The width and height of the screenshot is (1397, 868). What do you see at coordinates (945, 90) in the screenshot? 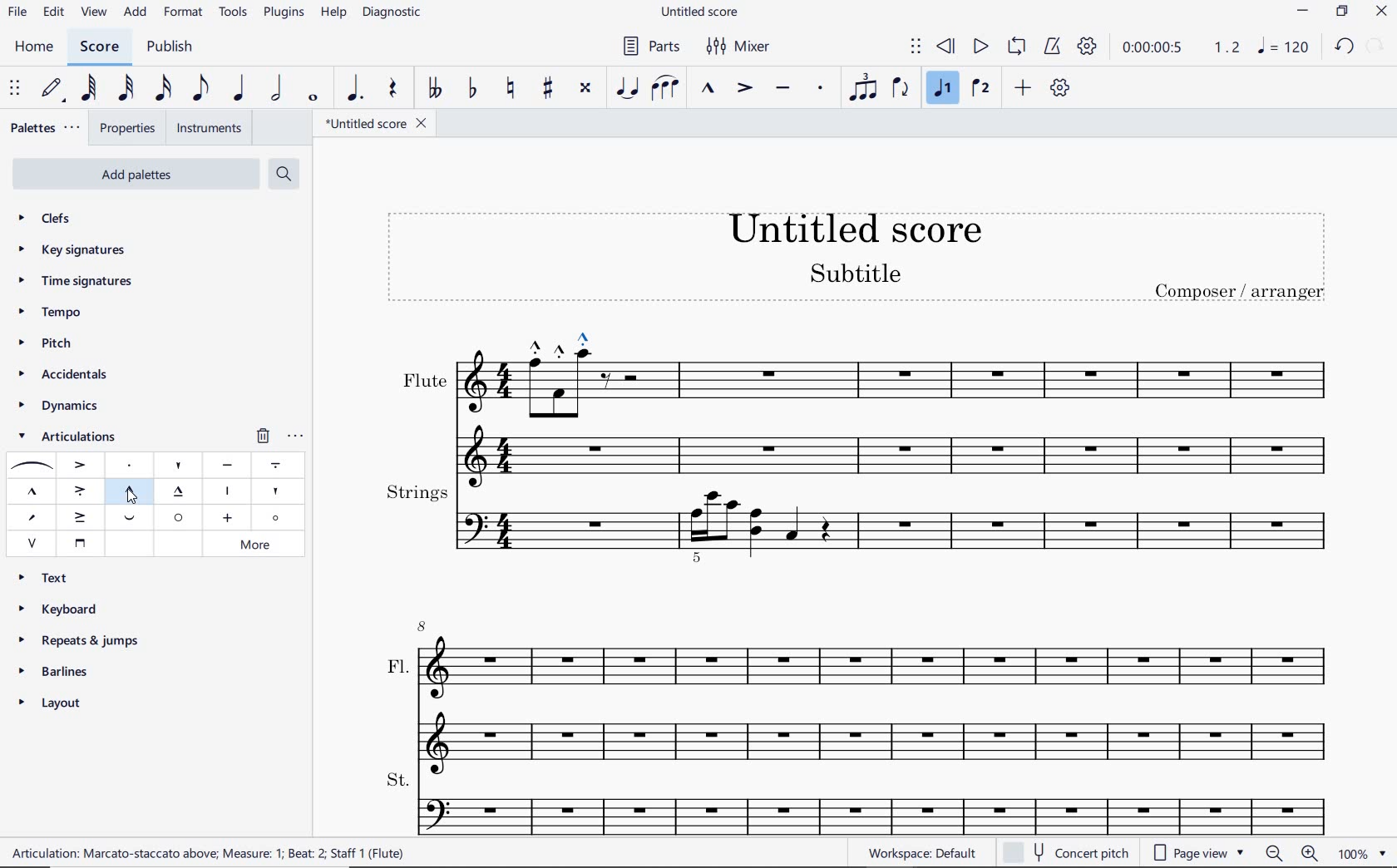
I see `VOICE 1` at bounding box center [945, 90].